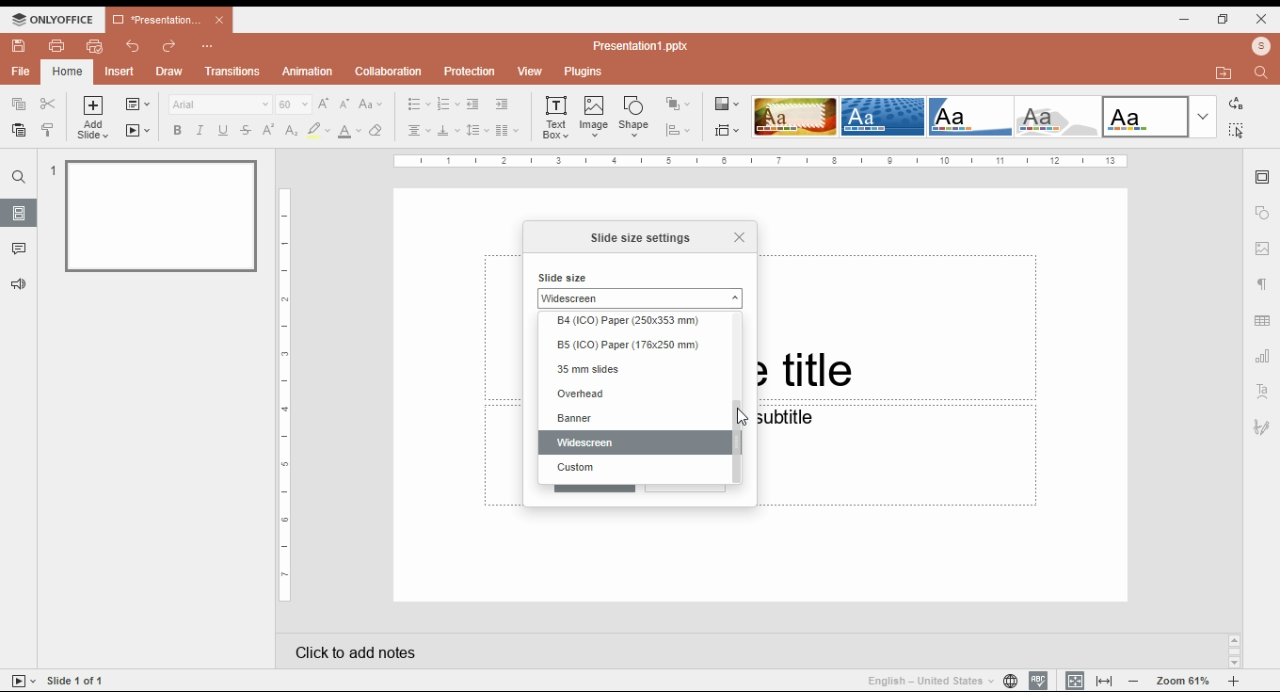  What do you see at coordinates (120, 72) in the screenshot?
I see `insert` at bounding box center [120, 72].